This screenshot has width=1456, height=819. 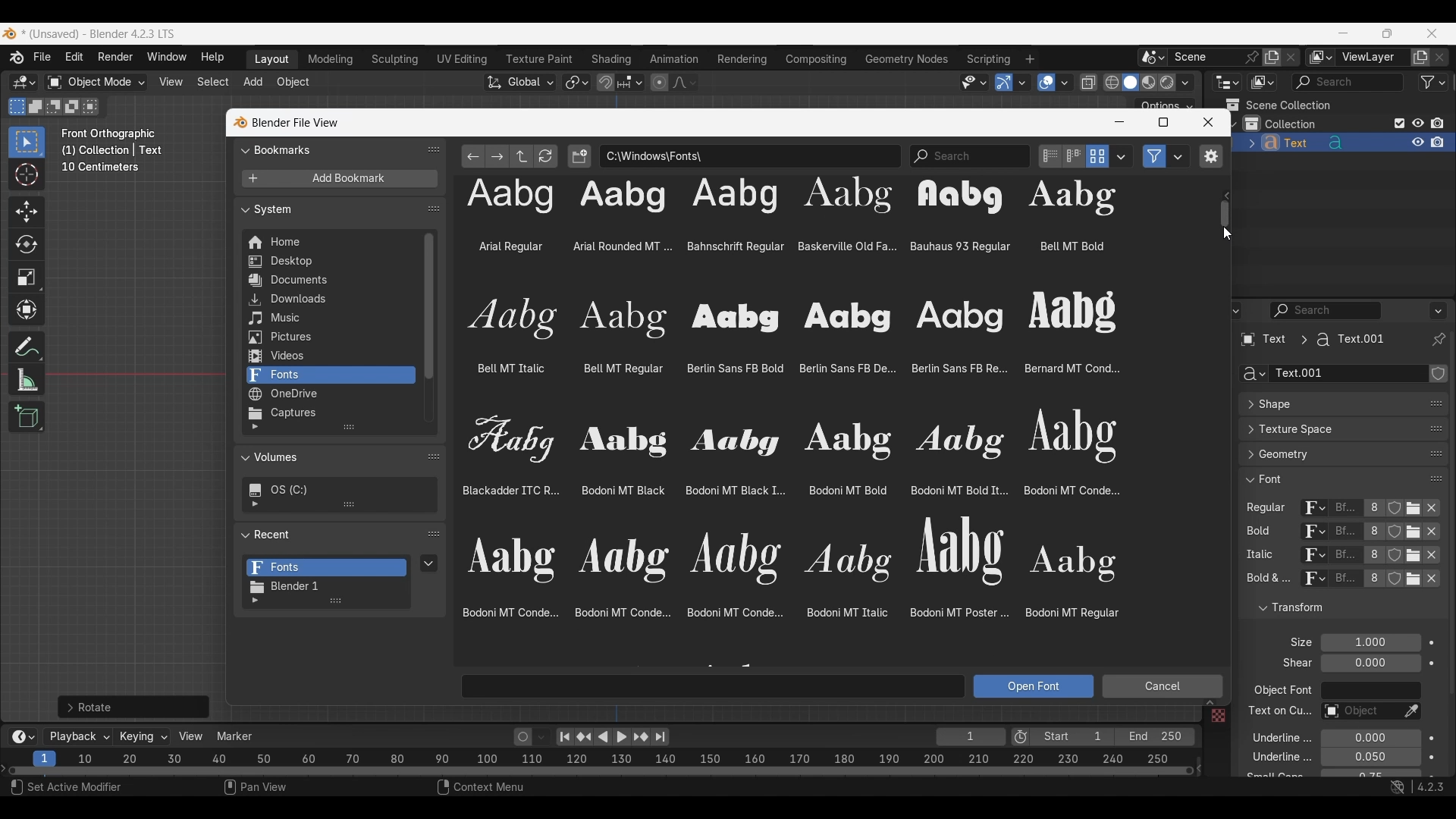 I want to click on Create new directory, so click(x=579, y=156).